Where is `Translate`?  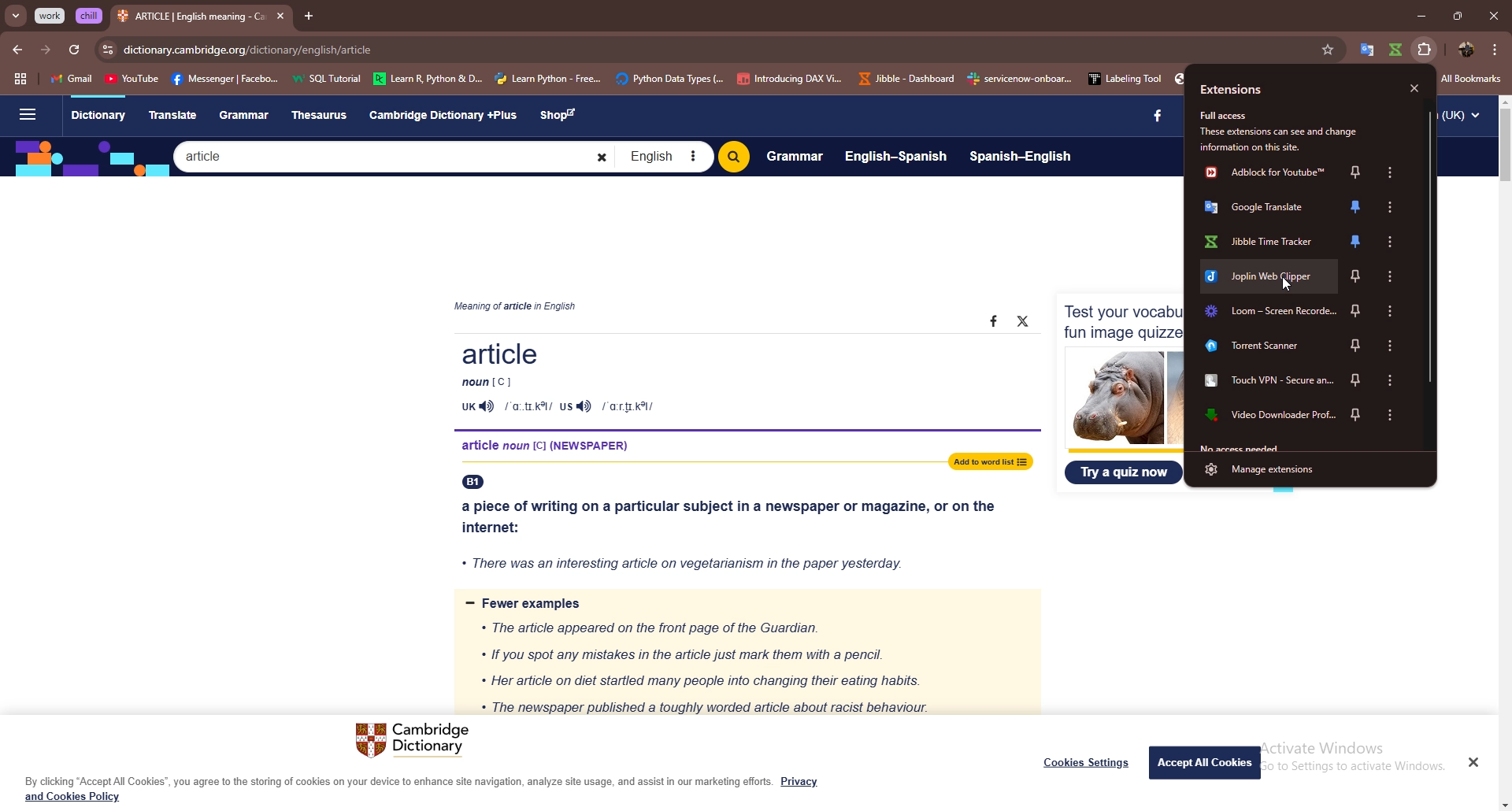 Translate is located at coordinates (172, 113).